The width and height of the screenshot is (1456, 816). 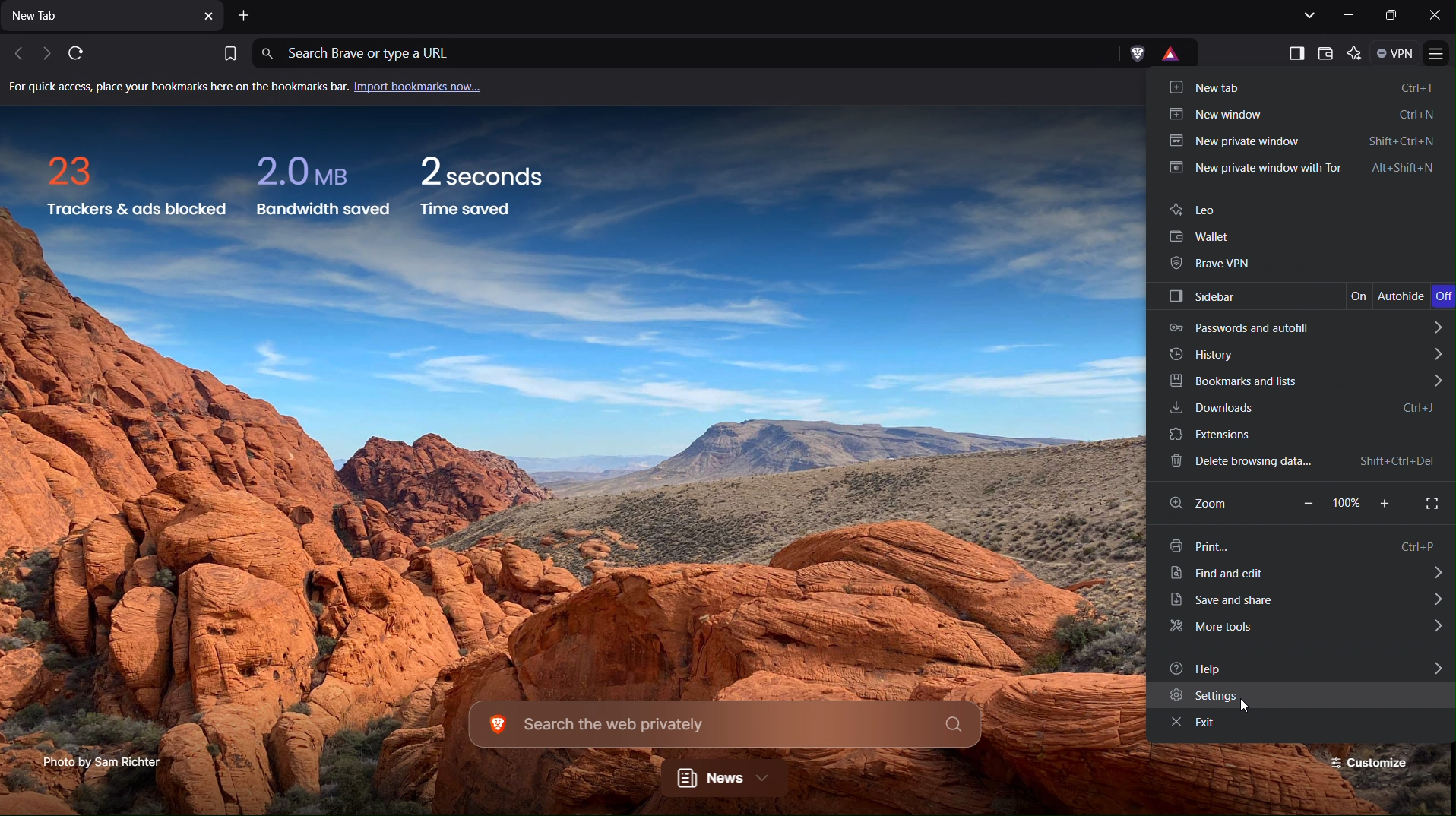 What do you see at coordinates (1302, 727) in the screenshot?
I see `Exit` at bounding box center [1302, 727].